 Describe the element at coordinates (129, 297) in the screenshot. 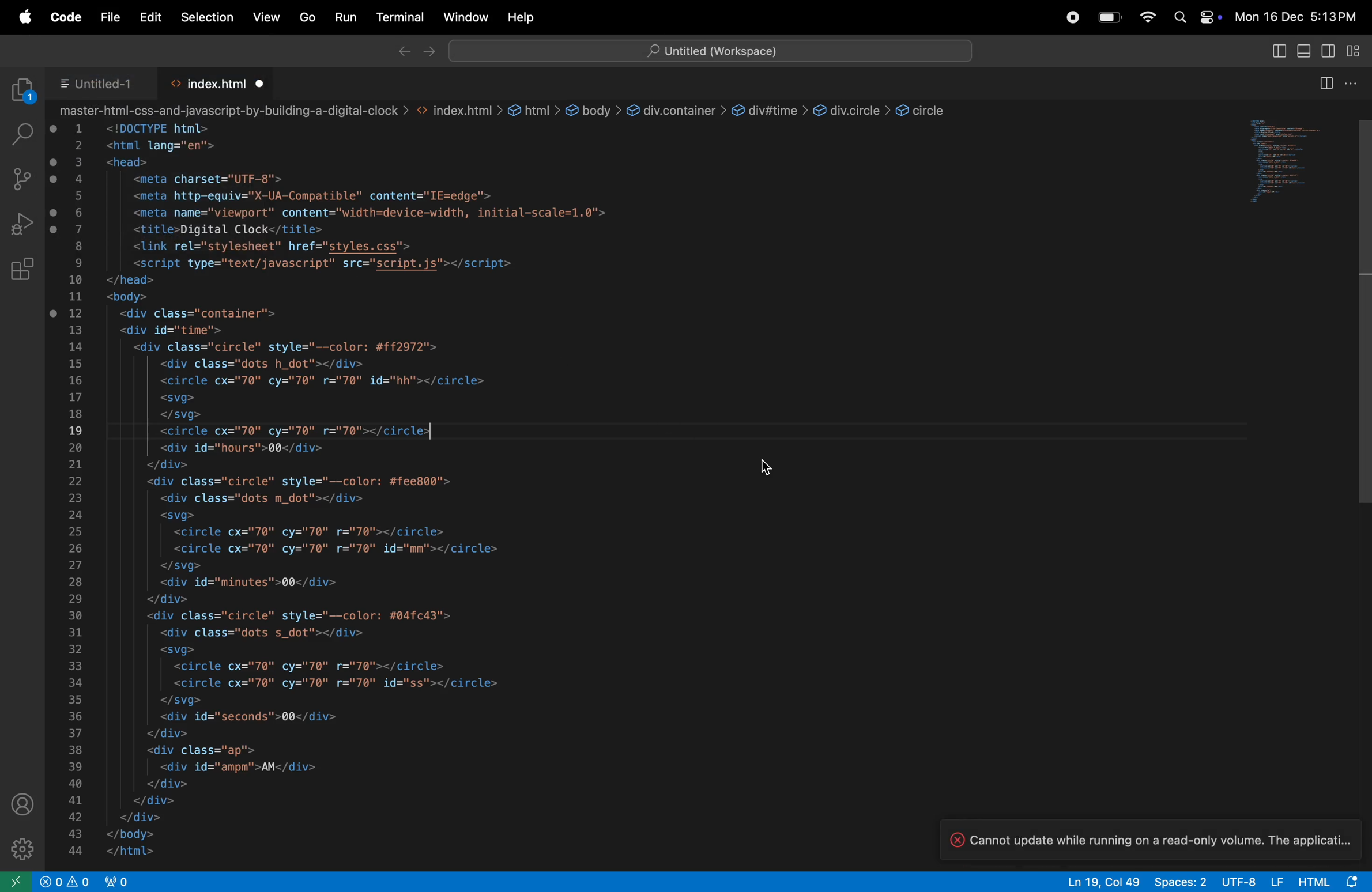

I see `<body>` at that location.